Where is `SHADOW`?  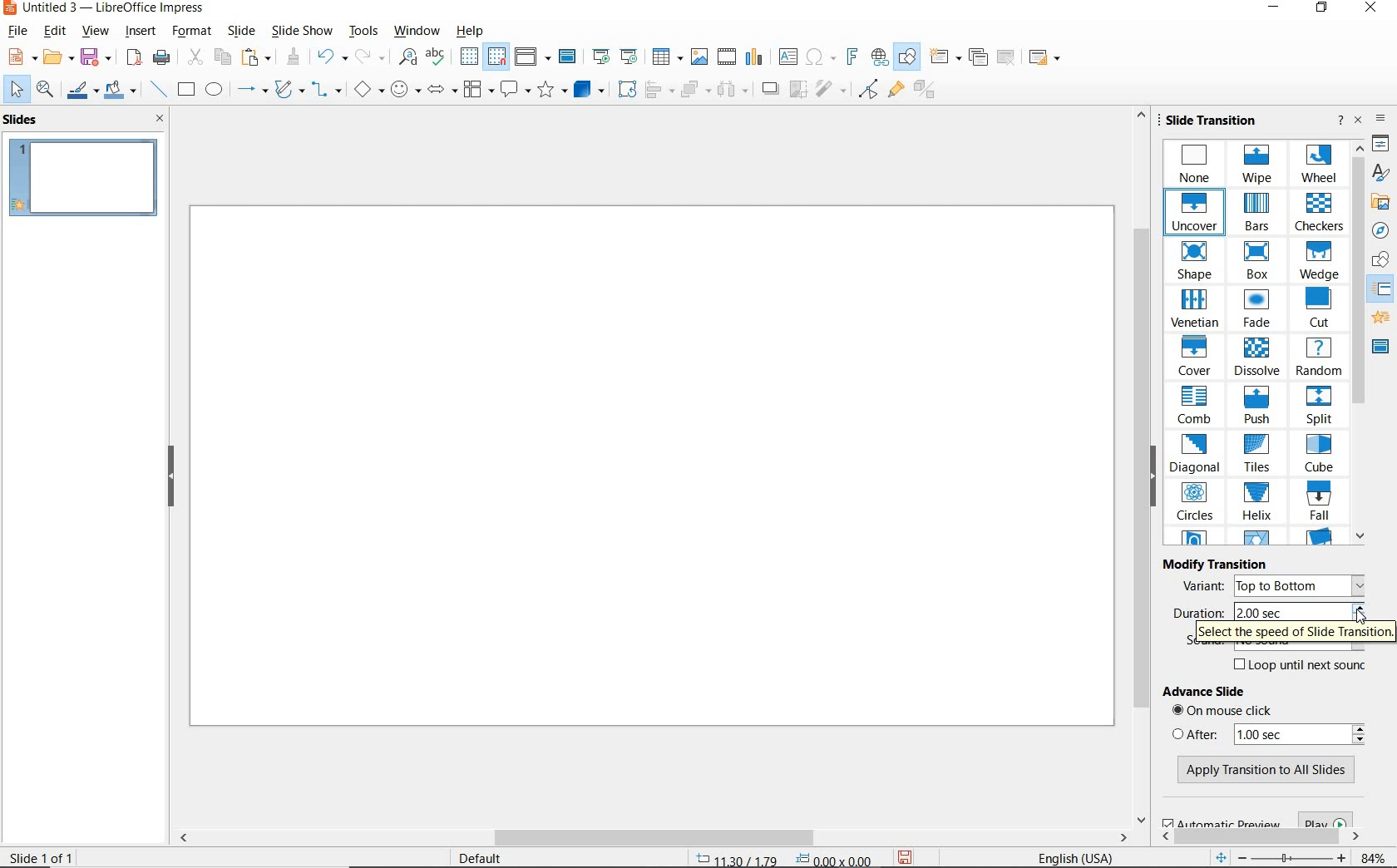
SHADOW is located at coordinates (770, 89).